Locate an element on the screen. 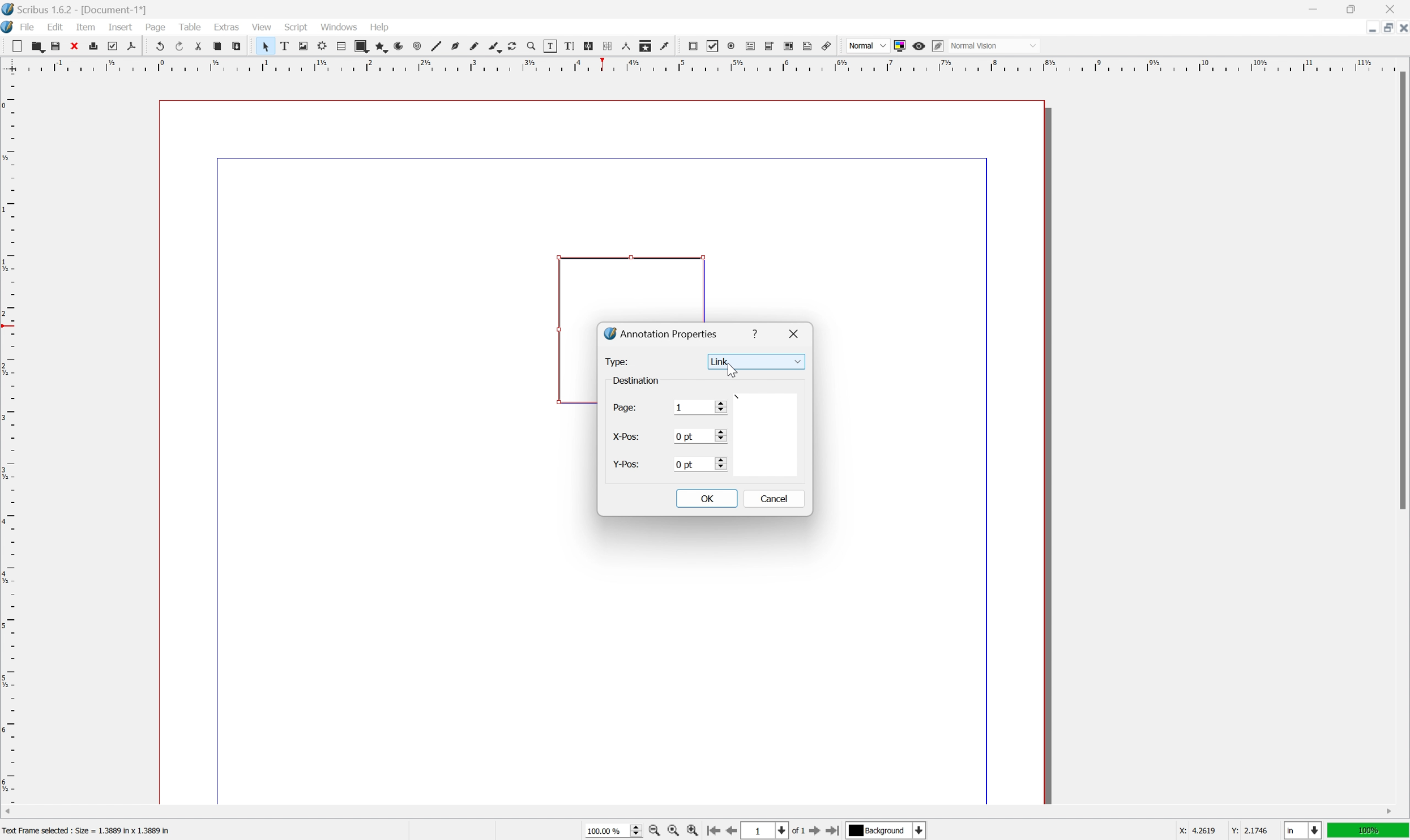 The image size is (1410, 840). go to first page is located at coordinates (713, 832).